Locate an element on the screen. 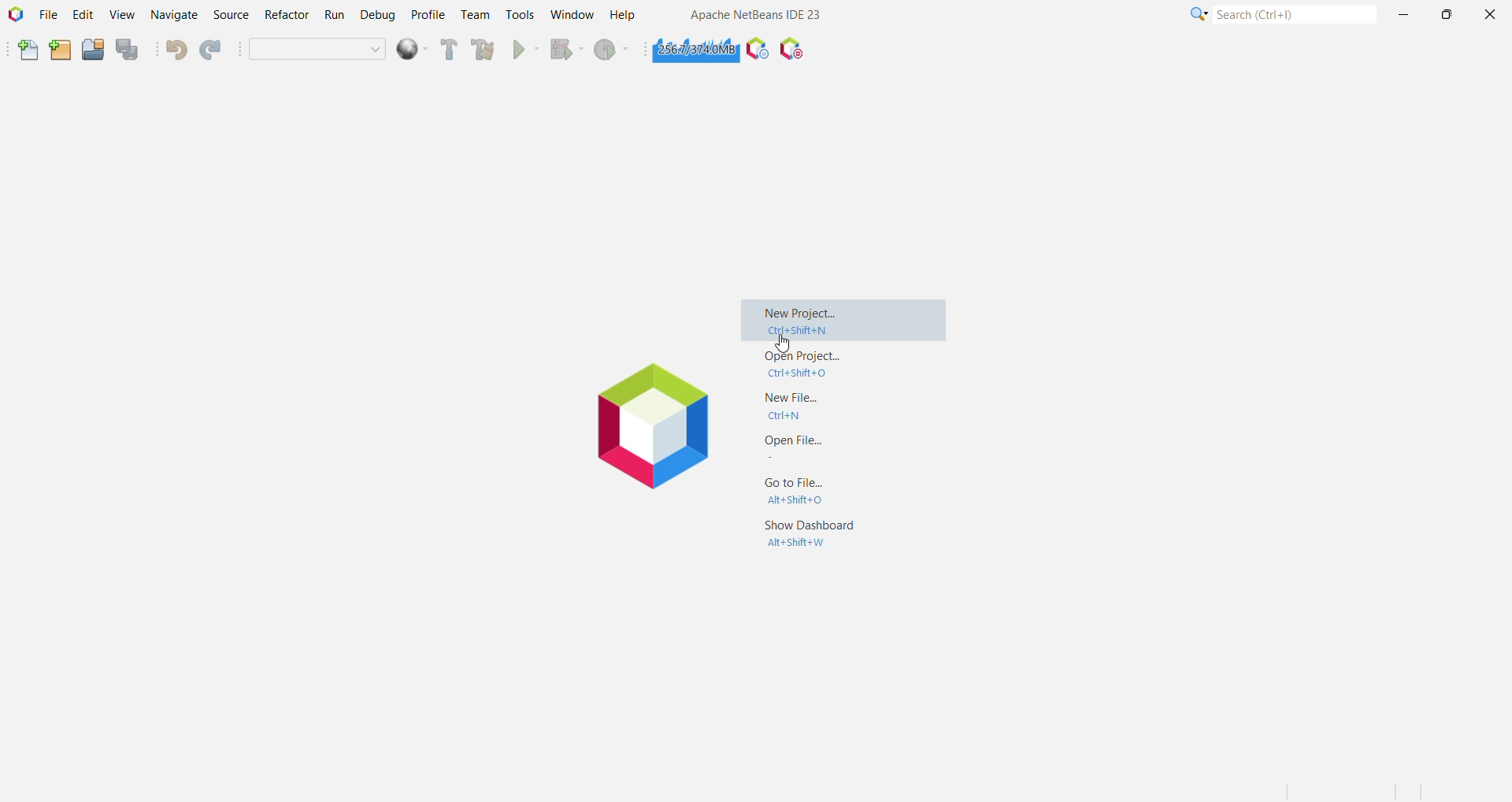  Navigate is located at coordinates (174, 16).